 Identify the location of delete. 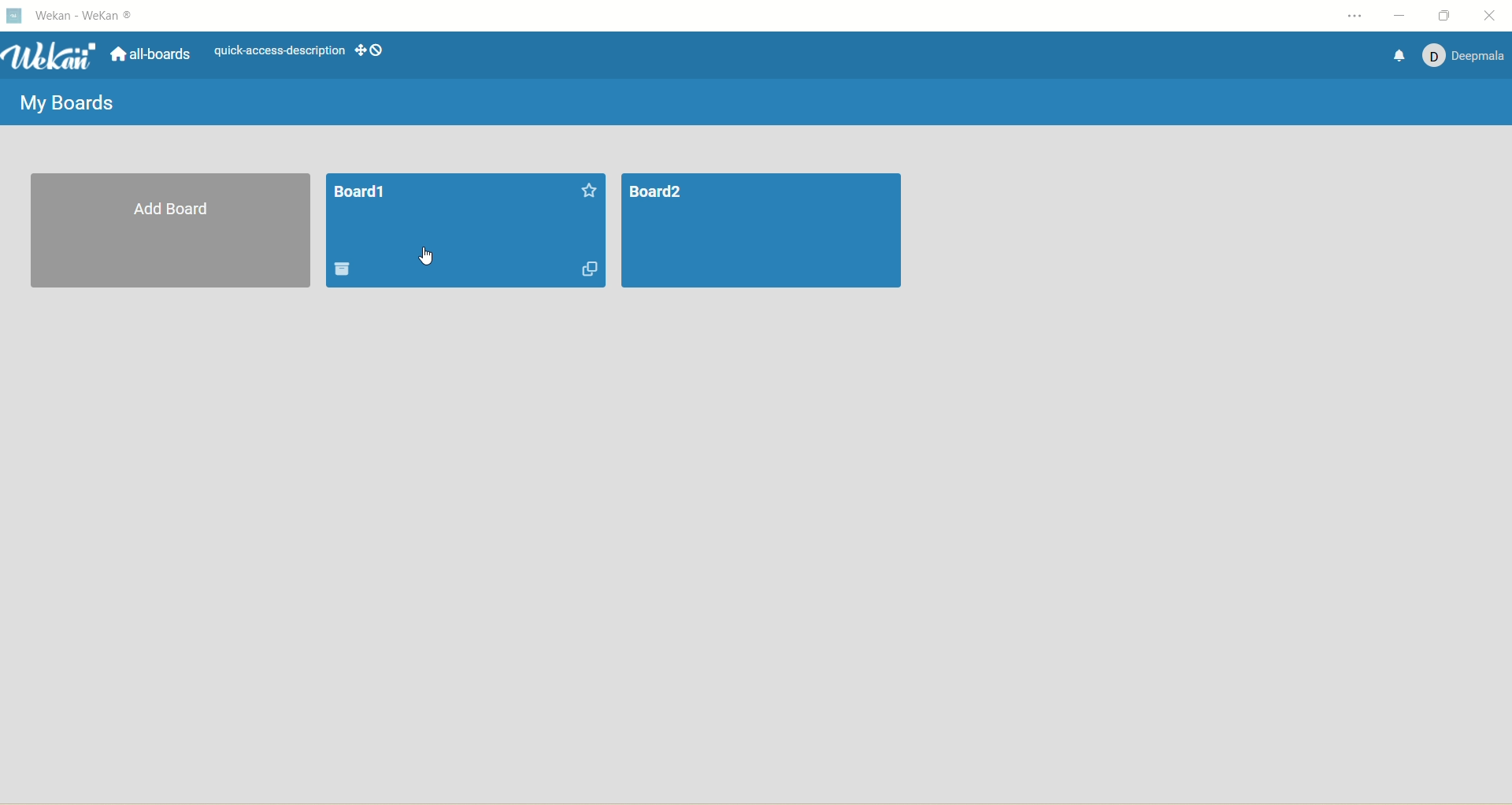
(344, 271).